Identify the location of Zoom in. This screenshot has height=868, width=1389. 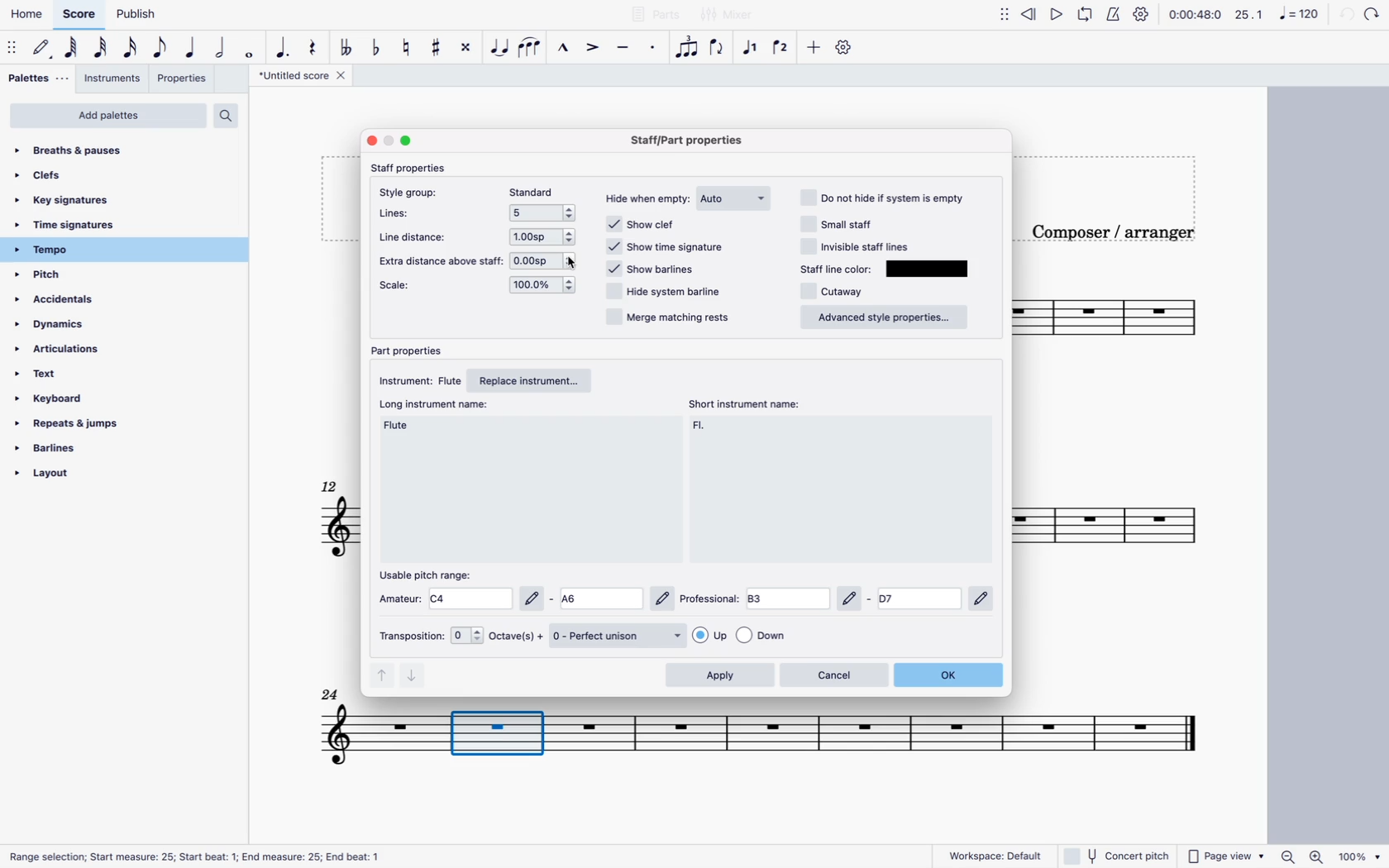
(1318, 856).